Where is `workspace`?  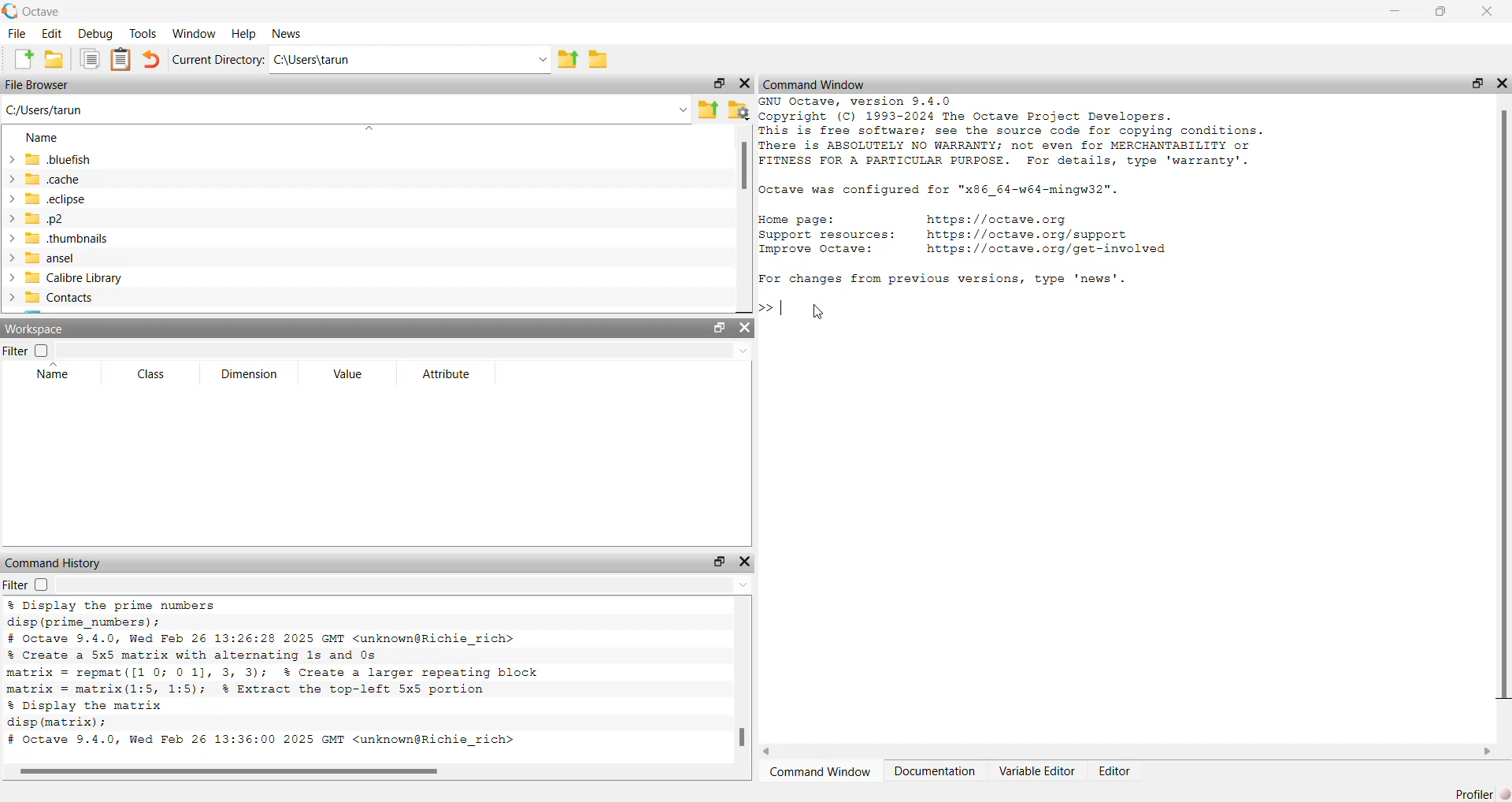
workspace is located at coordinates (42, 329).